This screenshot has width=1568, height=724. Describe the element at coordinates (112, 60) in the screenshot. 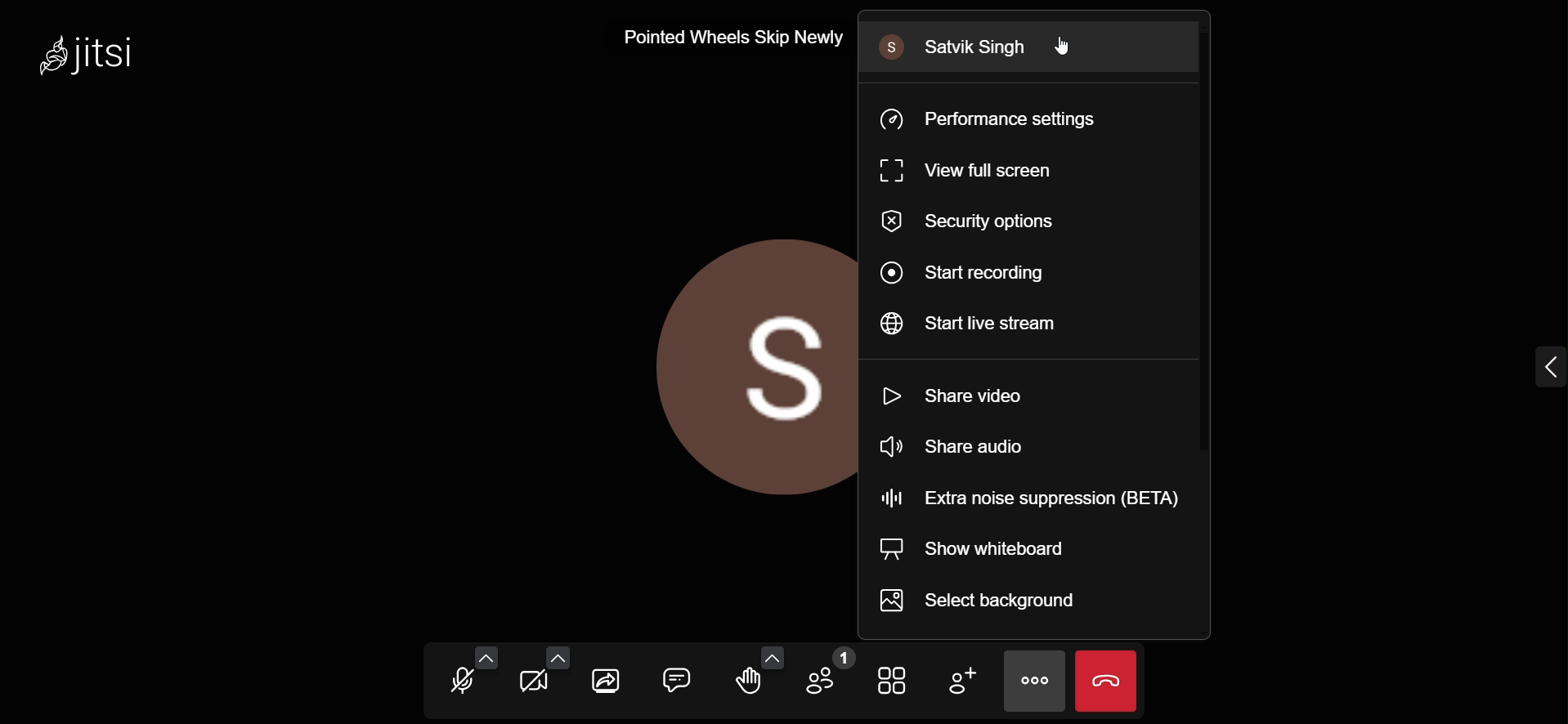

I see `Jitsi` at that location.